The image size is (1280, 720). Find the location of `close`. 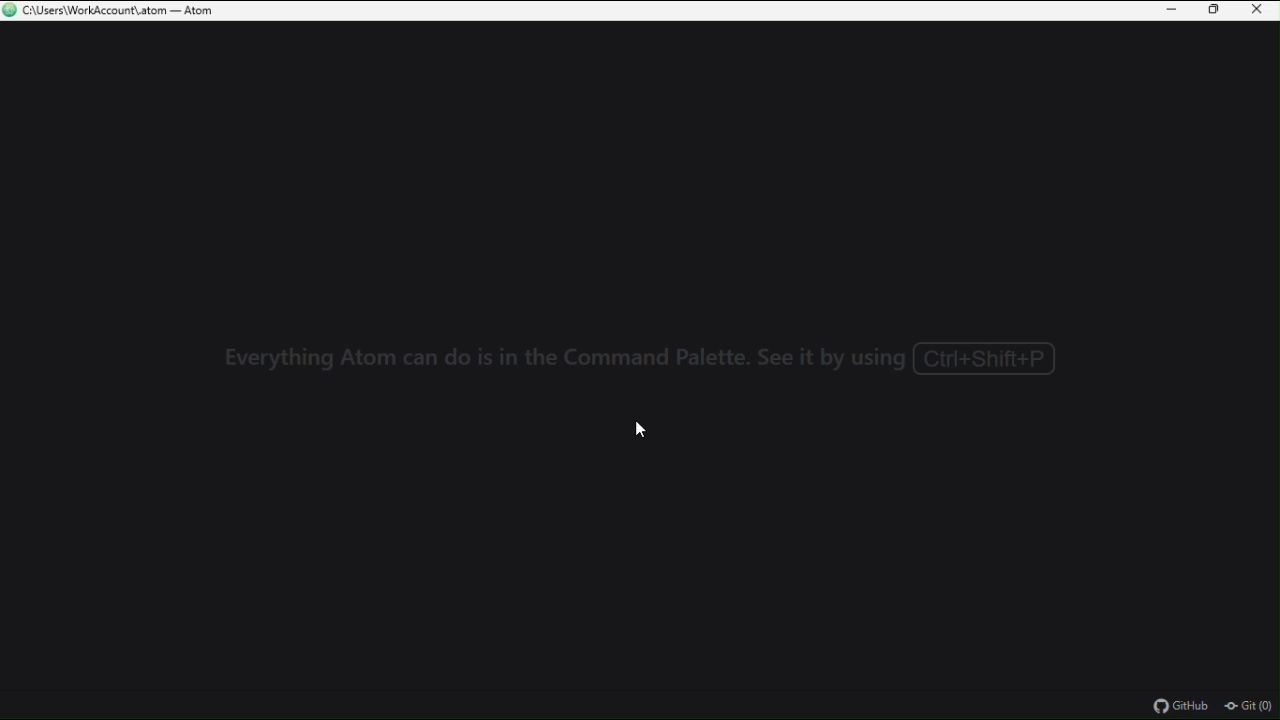

close is located at coordinates (1261, 10).